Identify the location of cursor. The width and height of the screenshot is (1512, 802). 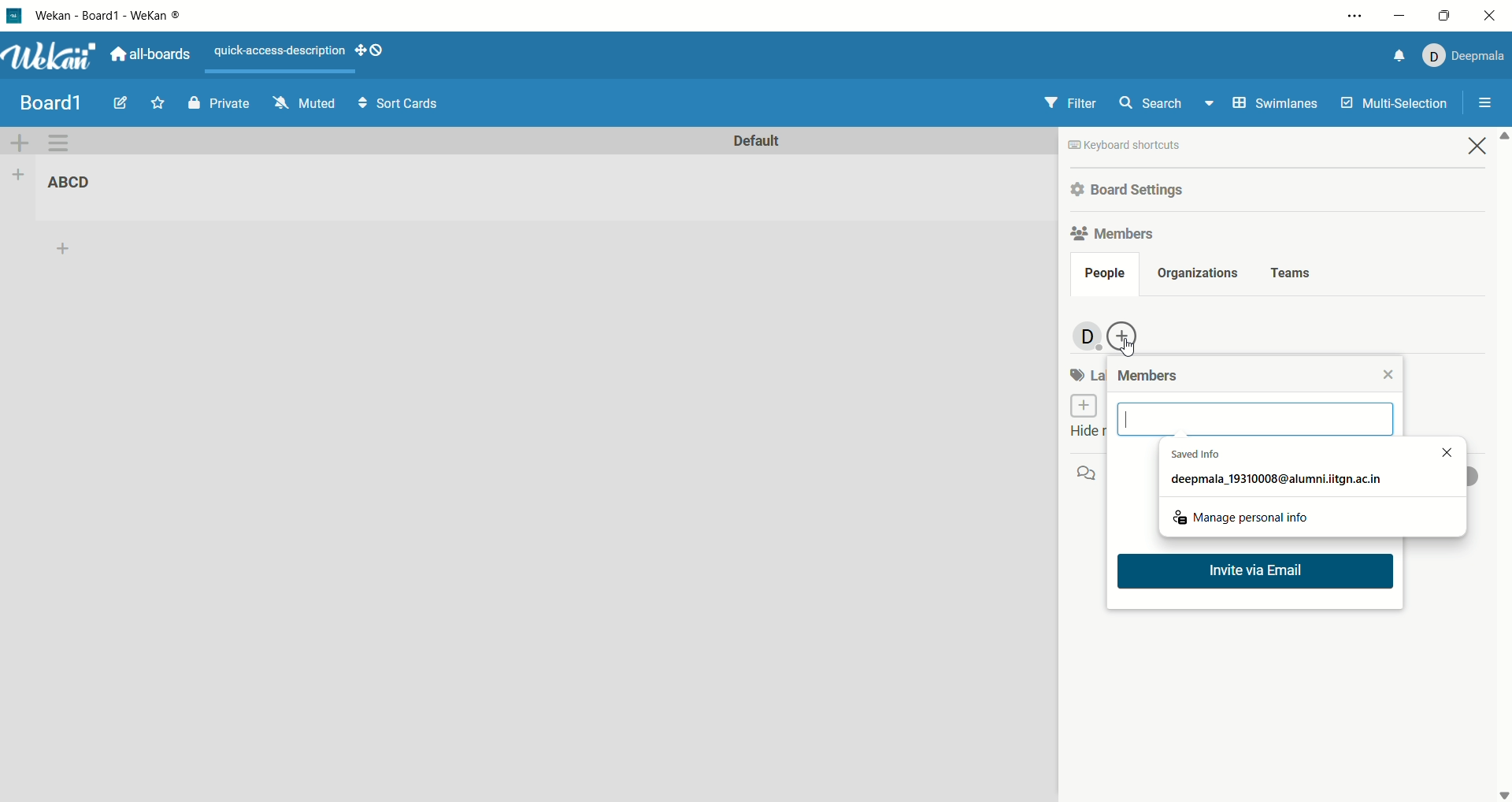
(1130, 419).